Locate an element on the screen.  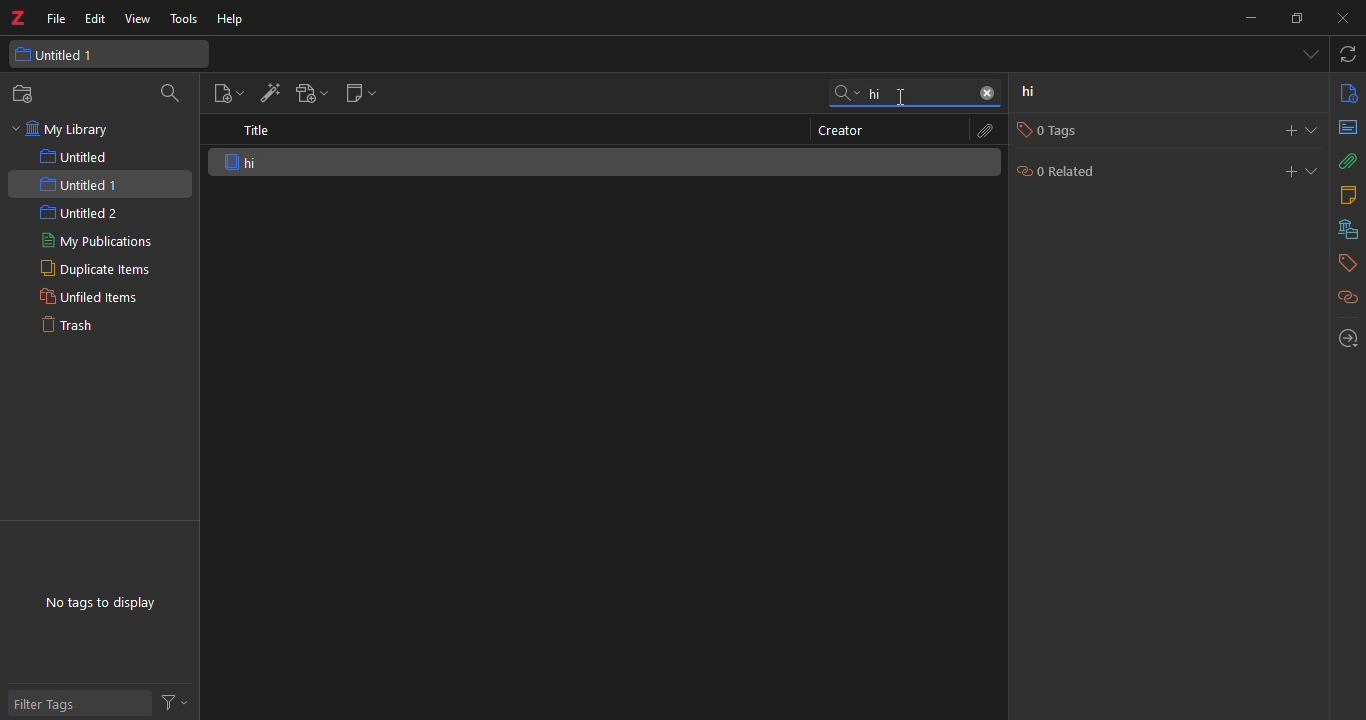
no tags to display is located at coordinates (103, 603).